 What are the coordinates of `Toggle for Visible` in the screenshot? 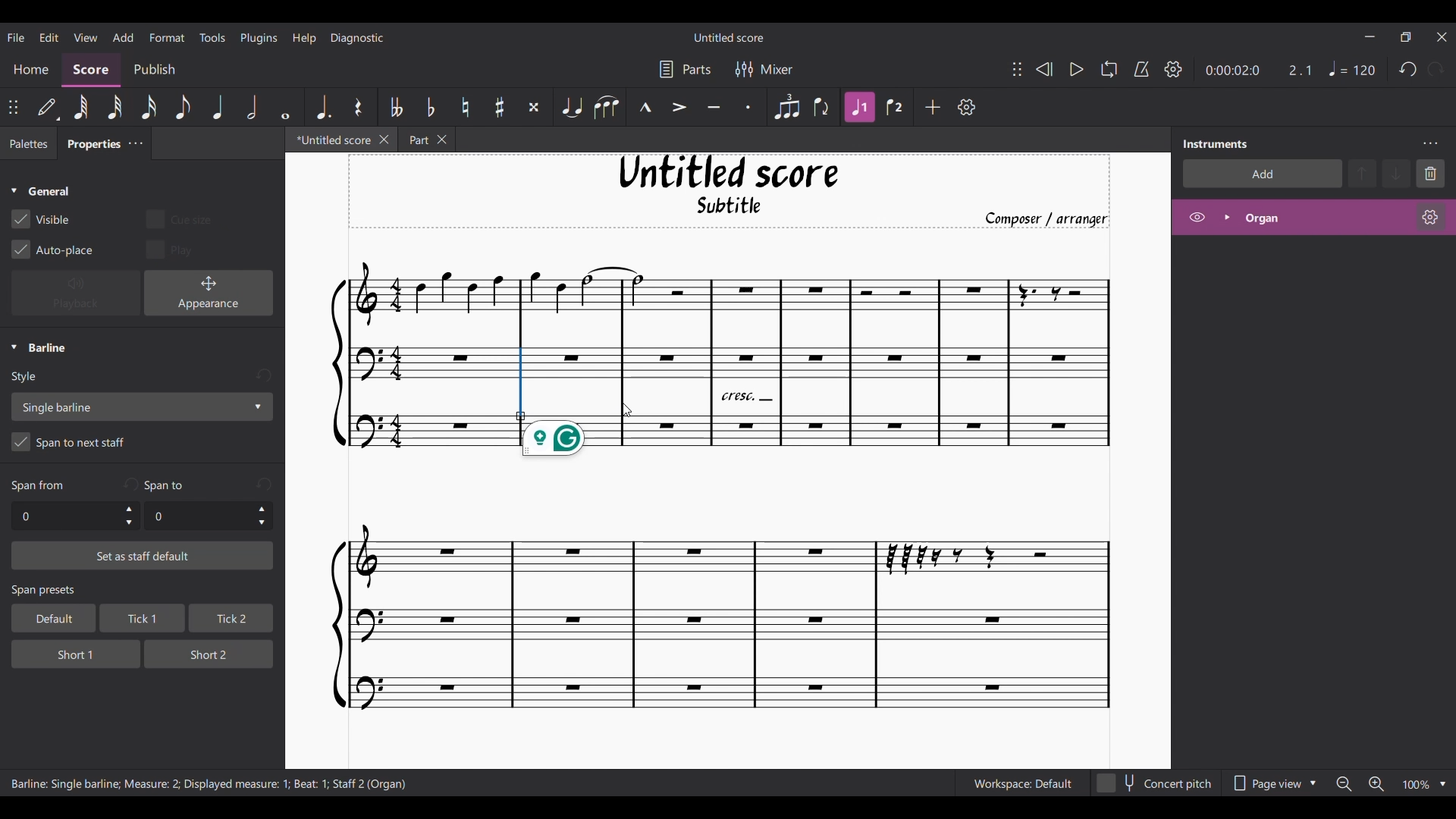 It's located at (41, 219).